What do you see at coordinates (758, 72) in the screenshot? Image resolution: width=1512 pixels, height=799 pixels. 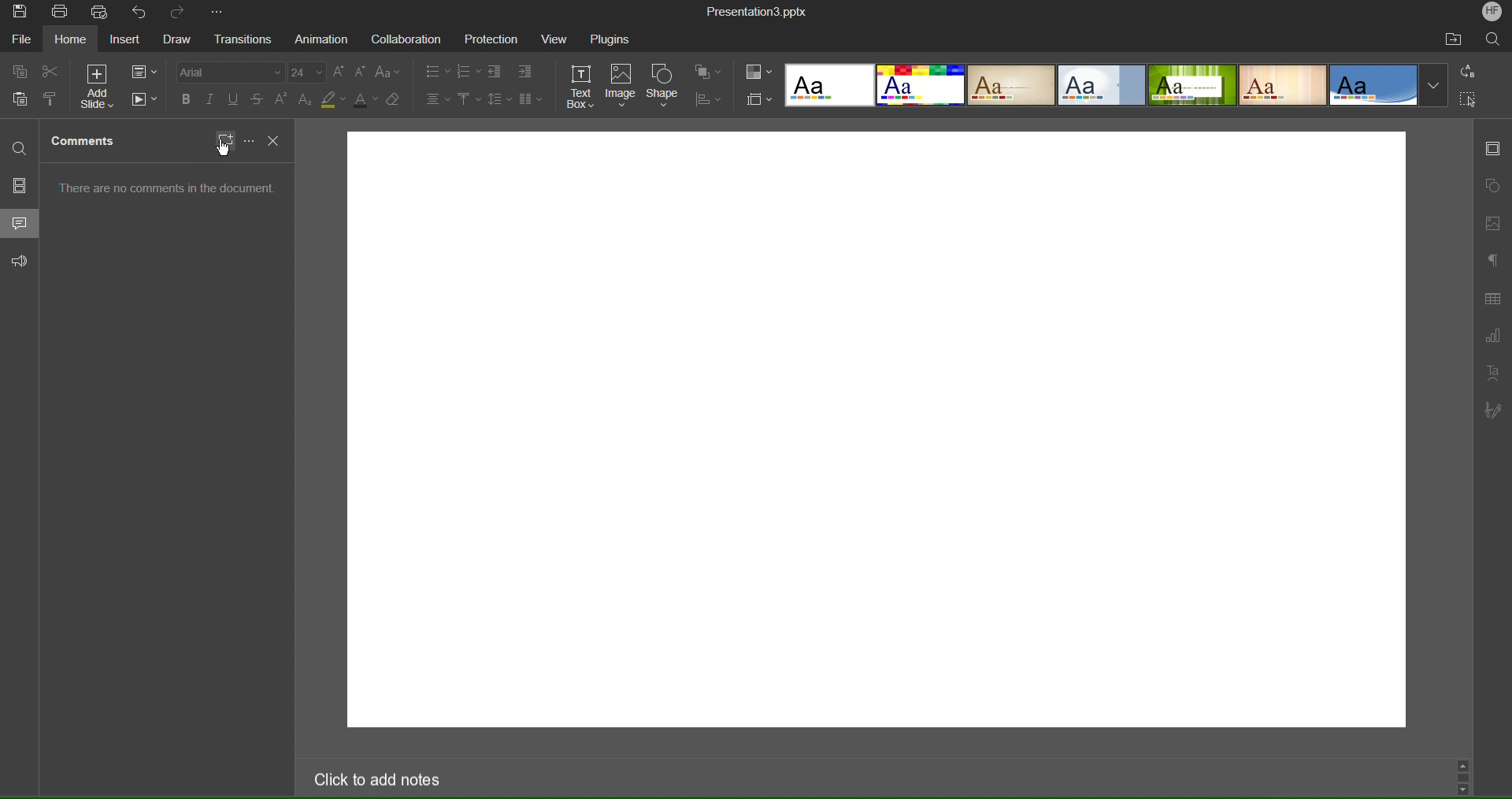 I see `Colors` at bounding box center [758, 72].